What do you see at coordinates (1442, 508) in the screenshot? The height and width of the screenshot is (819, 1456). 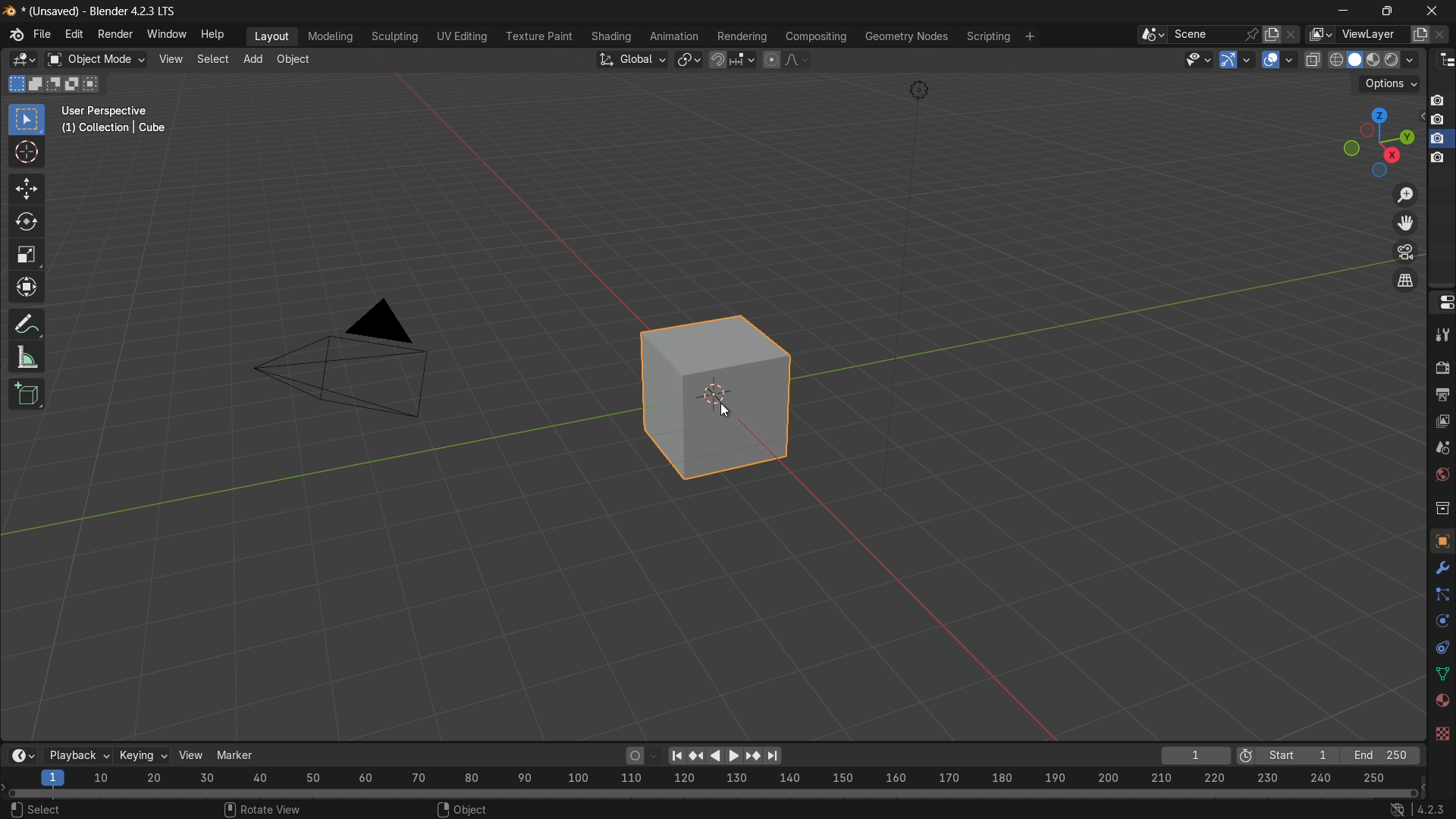 I see `collection` at bounding box center [1442, 508].